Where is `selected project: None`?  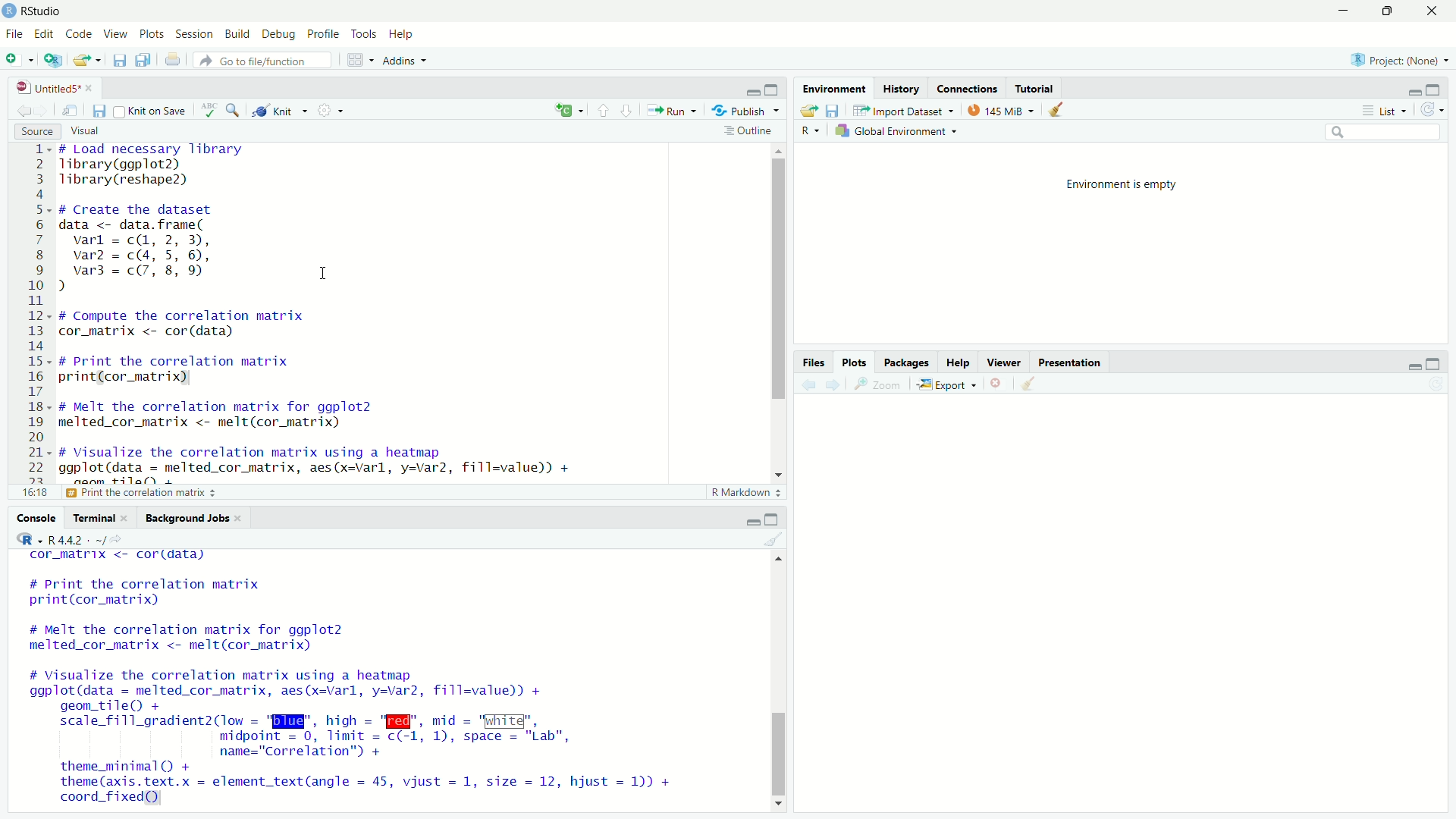 selected project: None is located at coordinates (1401, 58).